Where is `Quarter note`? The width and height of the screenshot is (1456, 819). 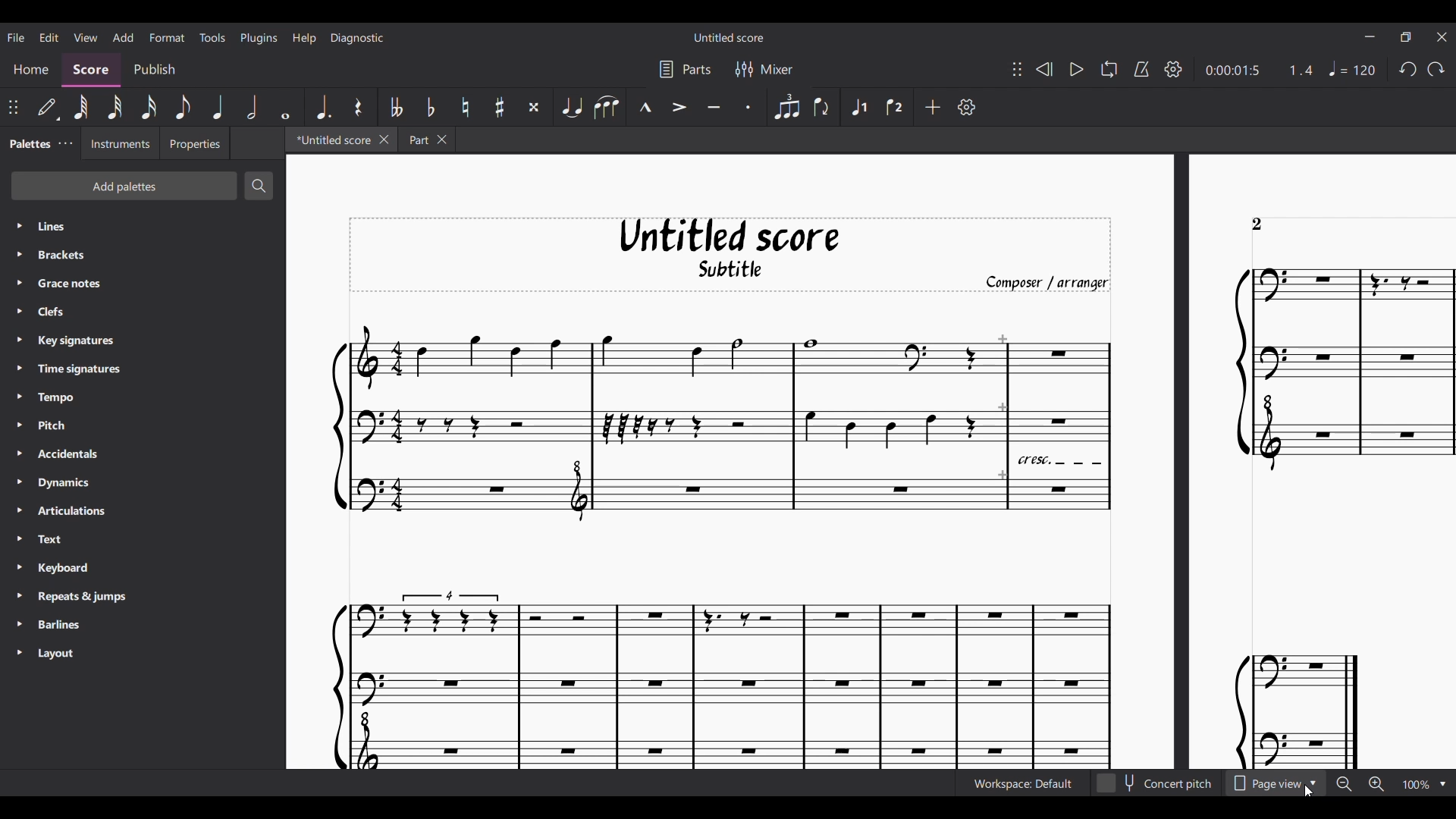
Quarter note is located at coordinates (219, 107).